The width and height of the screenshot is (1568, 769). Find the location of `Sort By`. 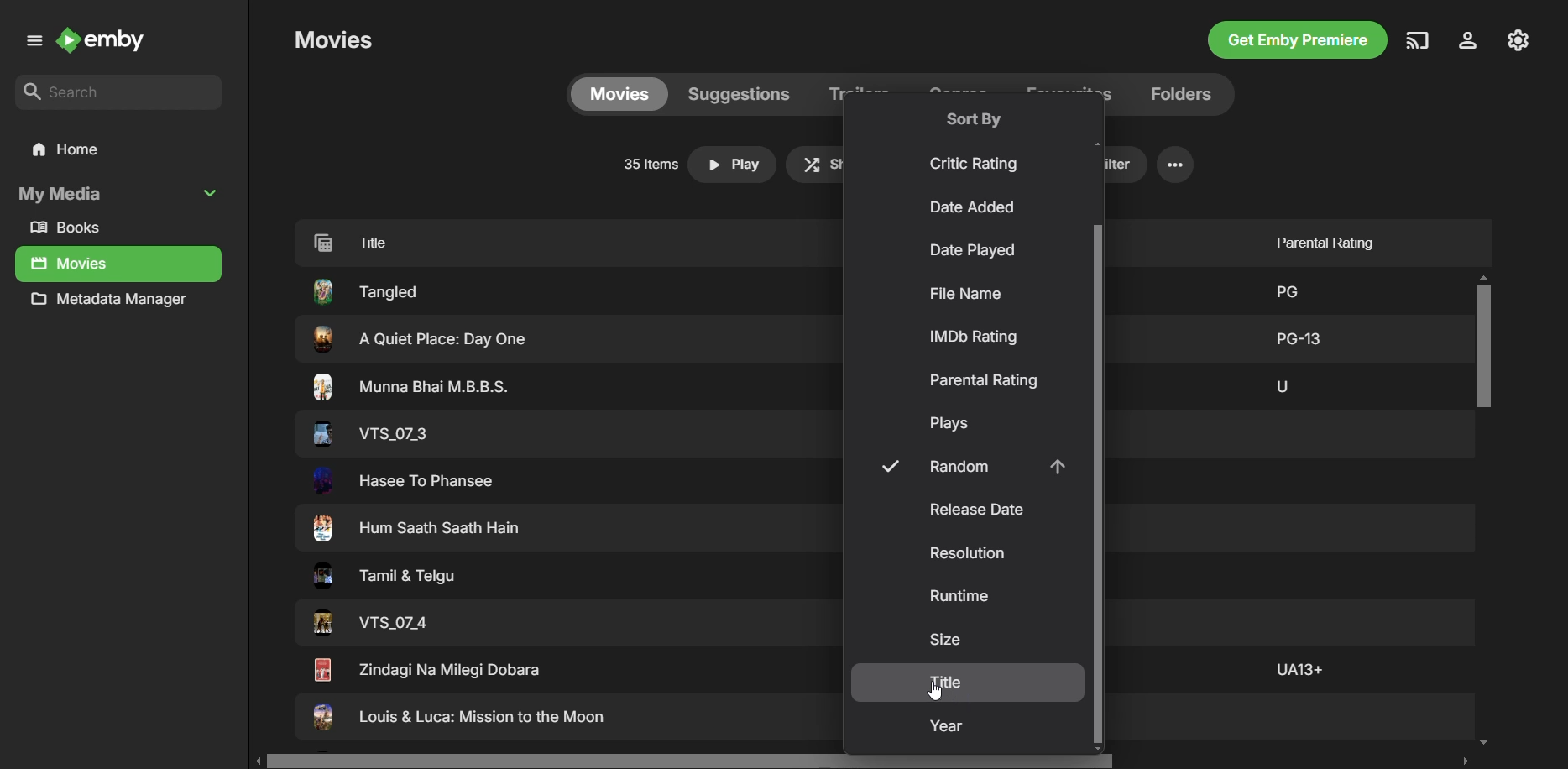

Sort By is located at coordinates (974, 118).